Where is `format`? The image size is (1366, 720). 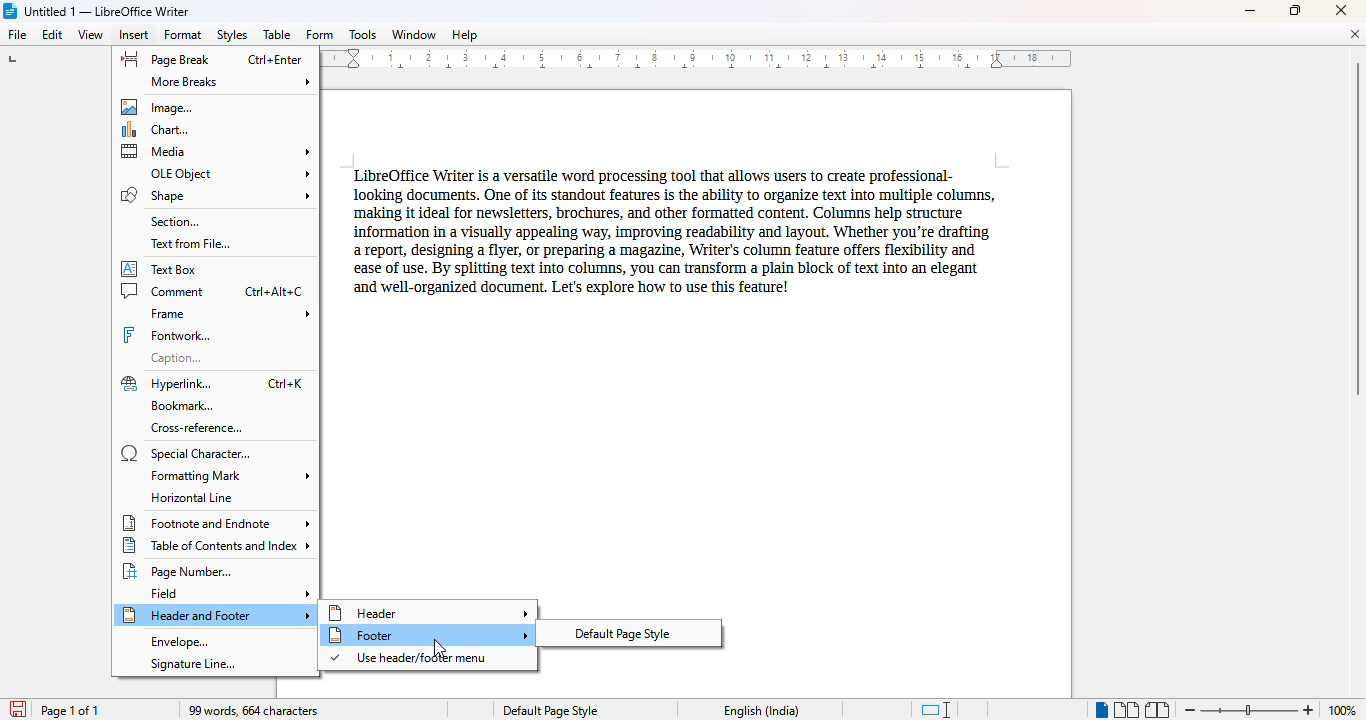 format is located at coordinates (183, 34).